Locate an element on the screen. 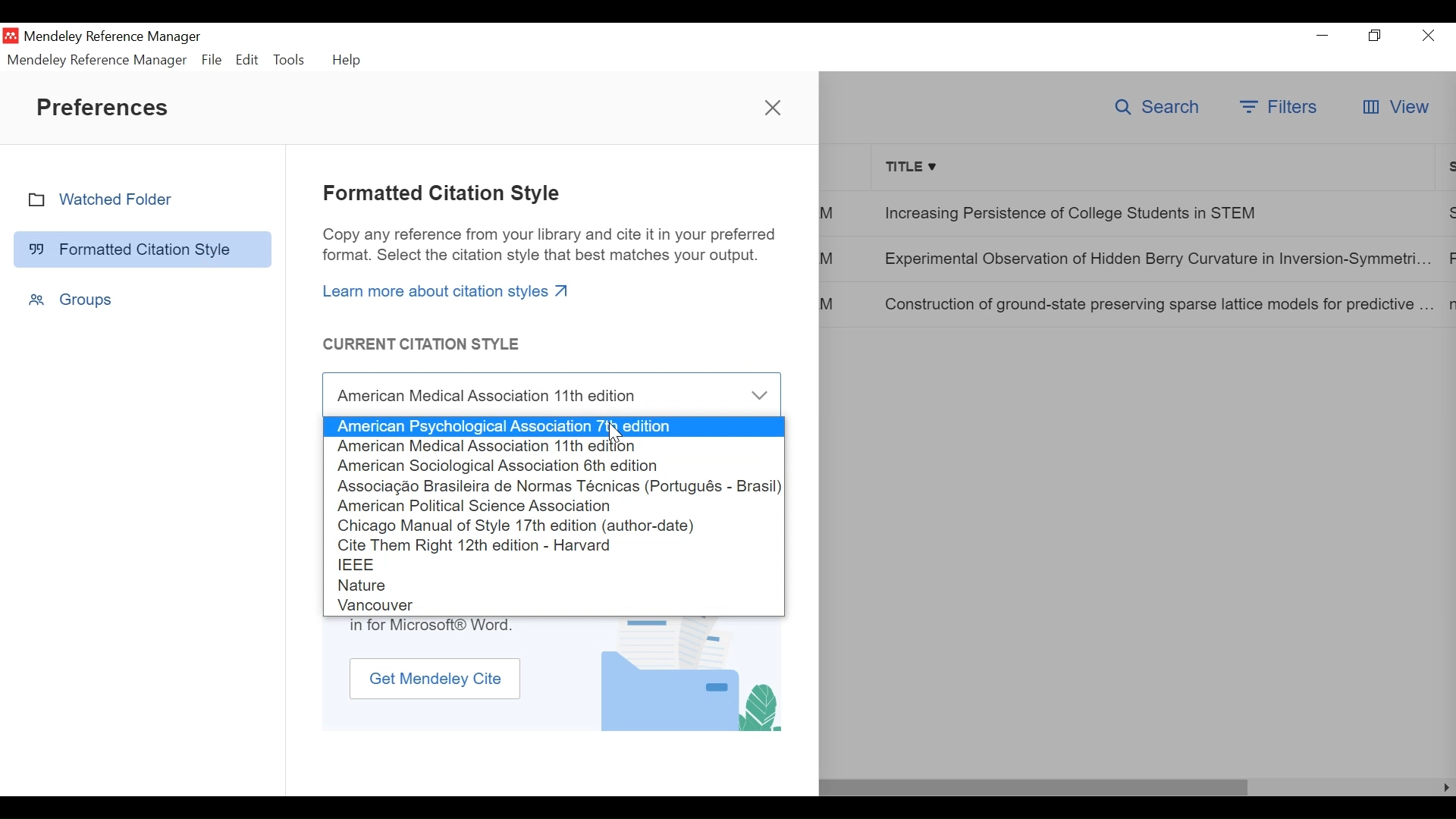 The height and width of the screenshot is (819, 1456). Help is located at coordinates (350, 60).